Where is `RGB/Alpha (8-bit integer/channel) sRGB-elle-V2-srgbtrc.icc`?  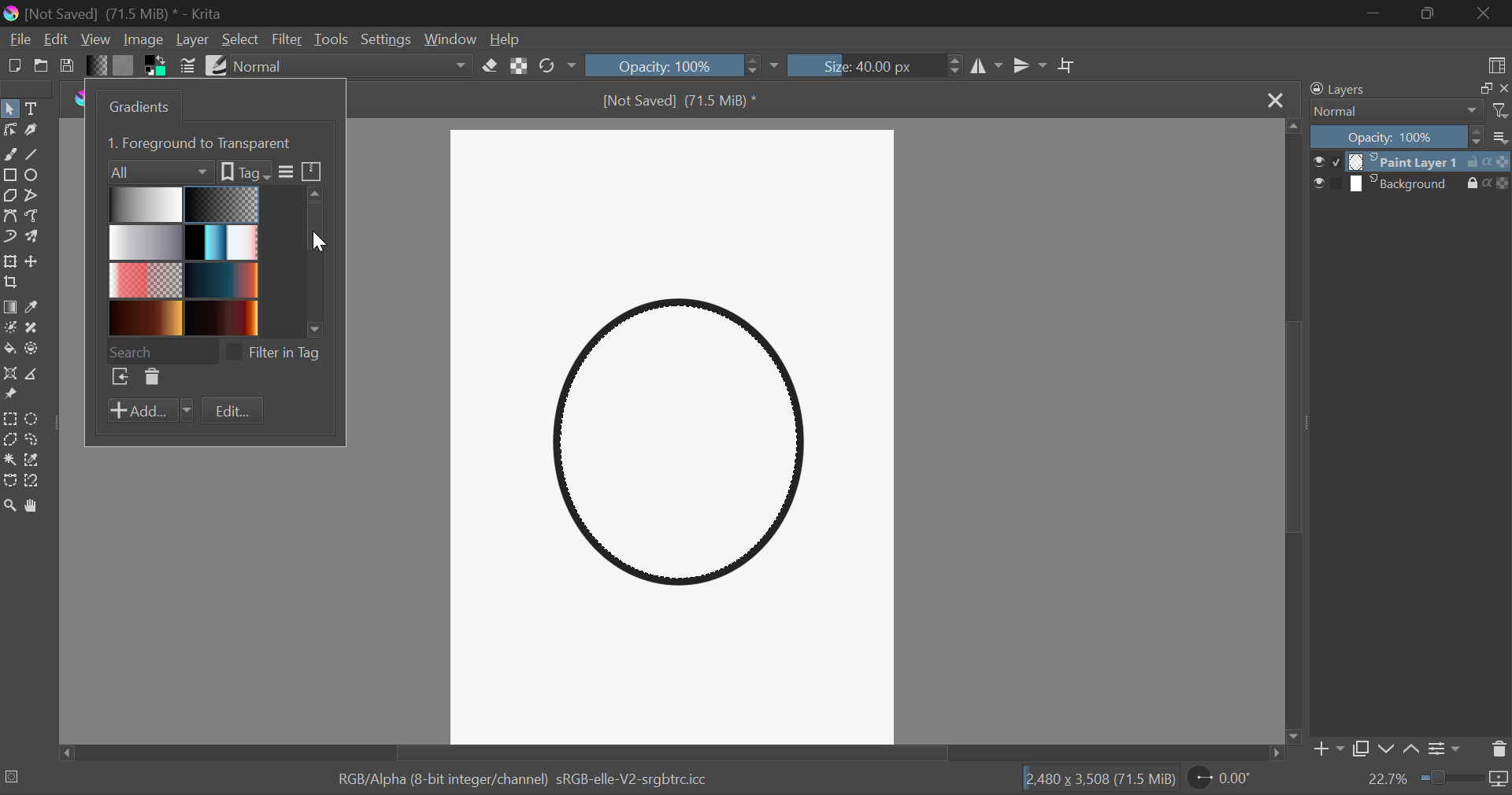 RGB/Alpha (8-bit integer/channel) sRGB-elle-V2-srgbtrc.icc is located at coordinates (526, 779).